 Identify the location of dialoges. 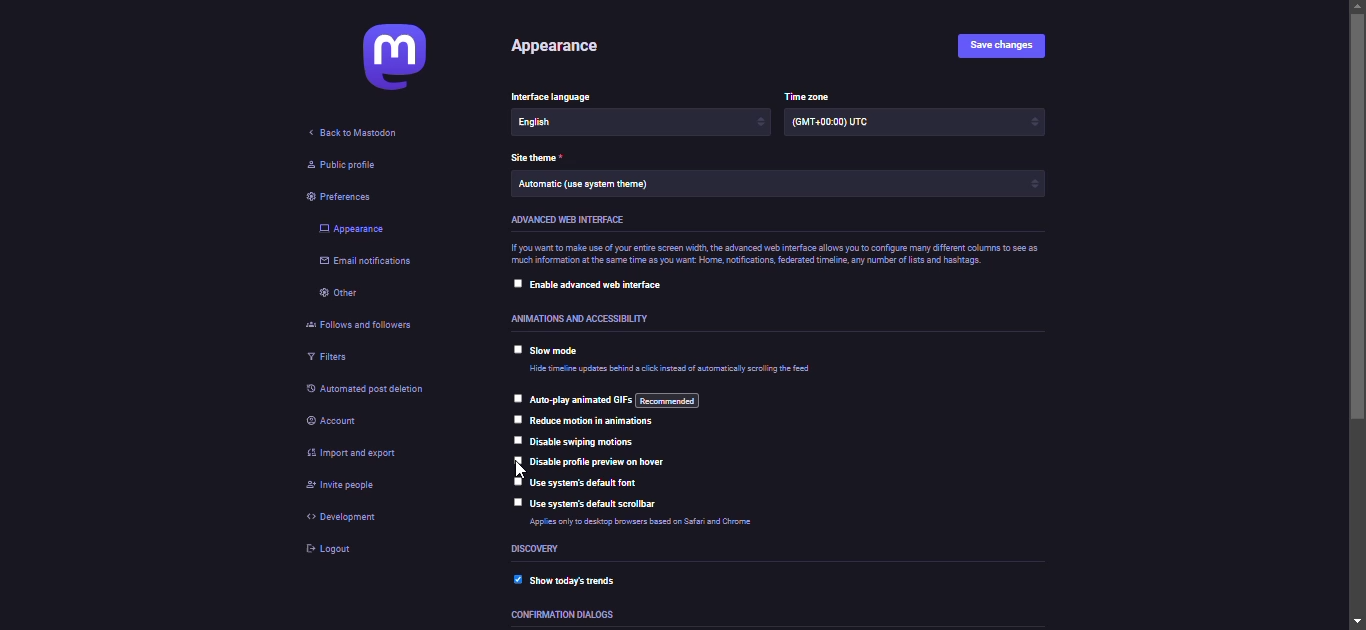
(571, 617).